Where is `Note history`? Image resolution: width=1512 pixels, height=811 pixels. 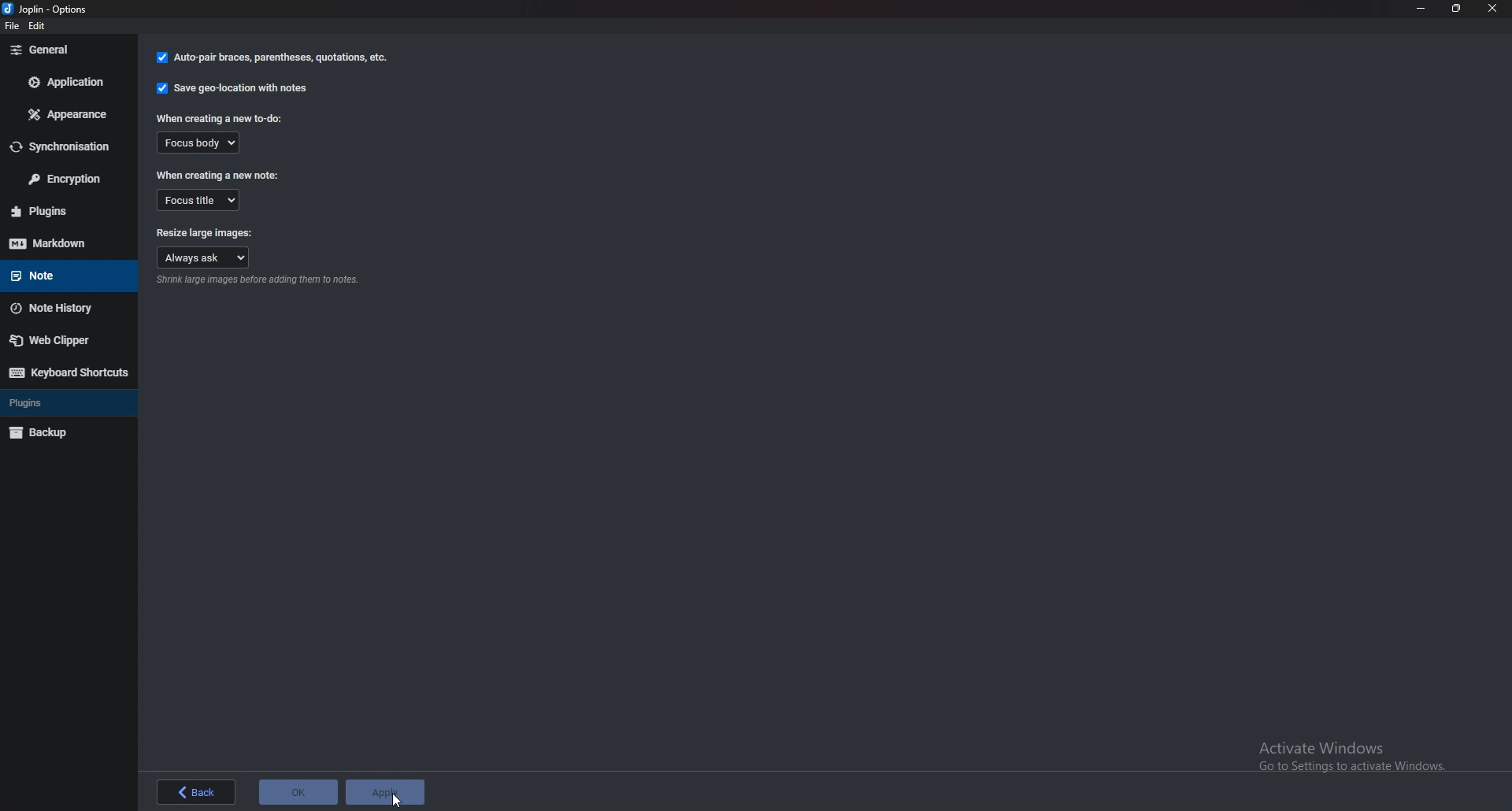
Note history is located at coordinates (61, 308).